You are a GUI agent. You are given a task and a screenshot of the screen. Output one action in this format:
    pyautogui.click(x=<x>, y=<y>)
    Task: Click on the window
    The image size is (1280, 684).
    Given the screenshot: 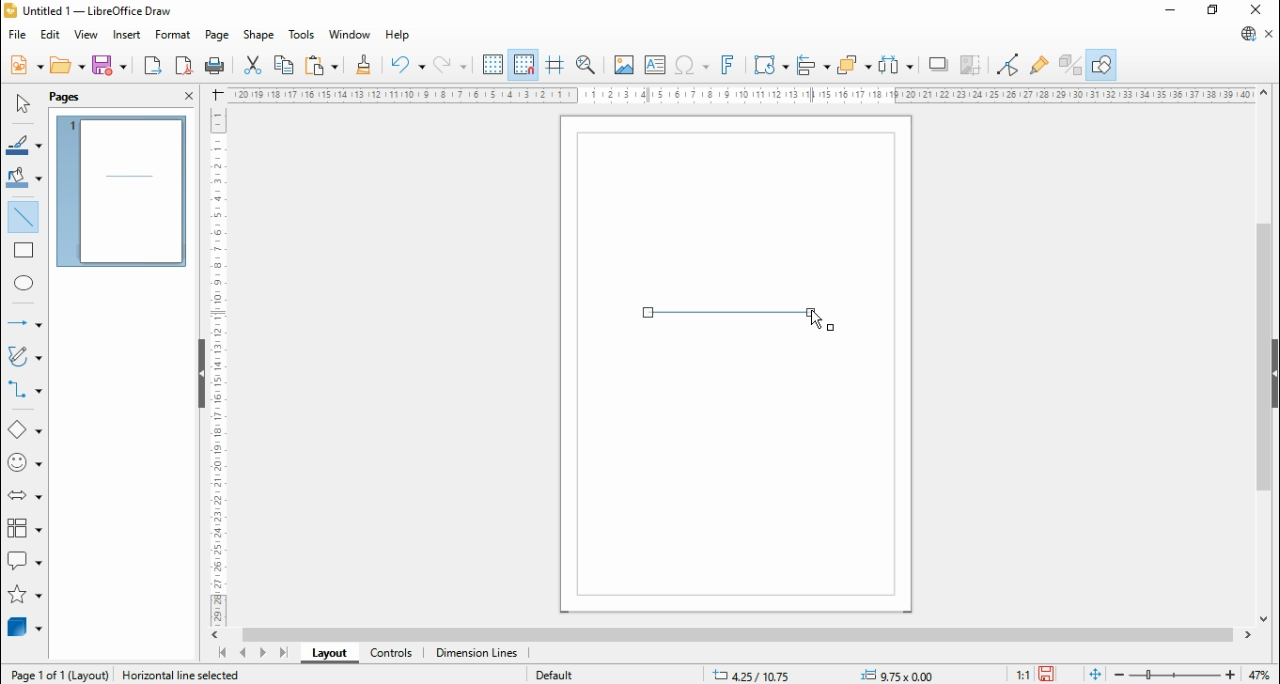 What is the action you would take?
    pyautogui.click(x=349, y=36)
    